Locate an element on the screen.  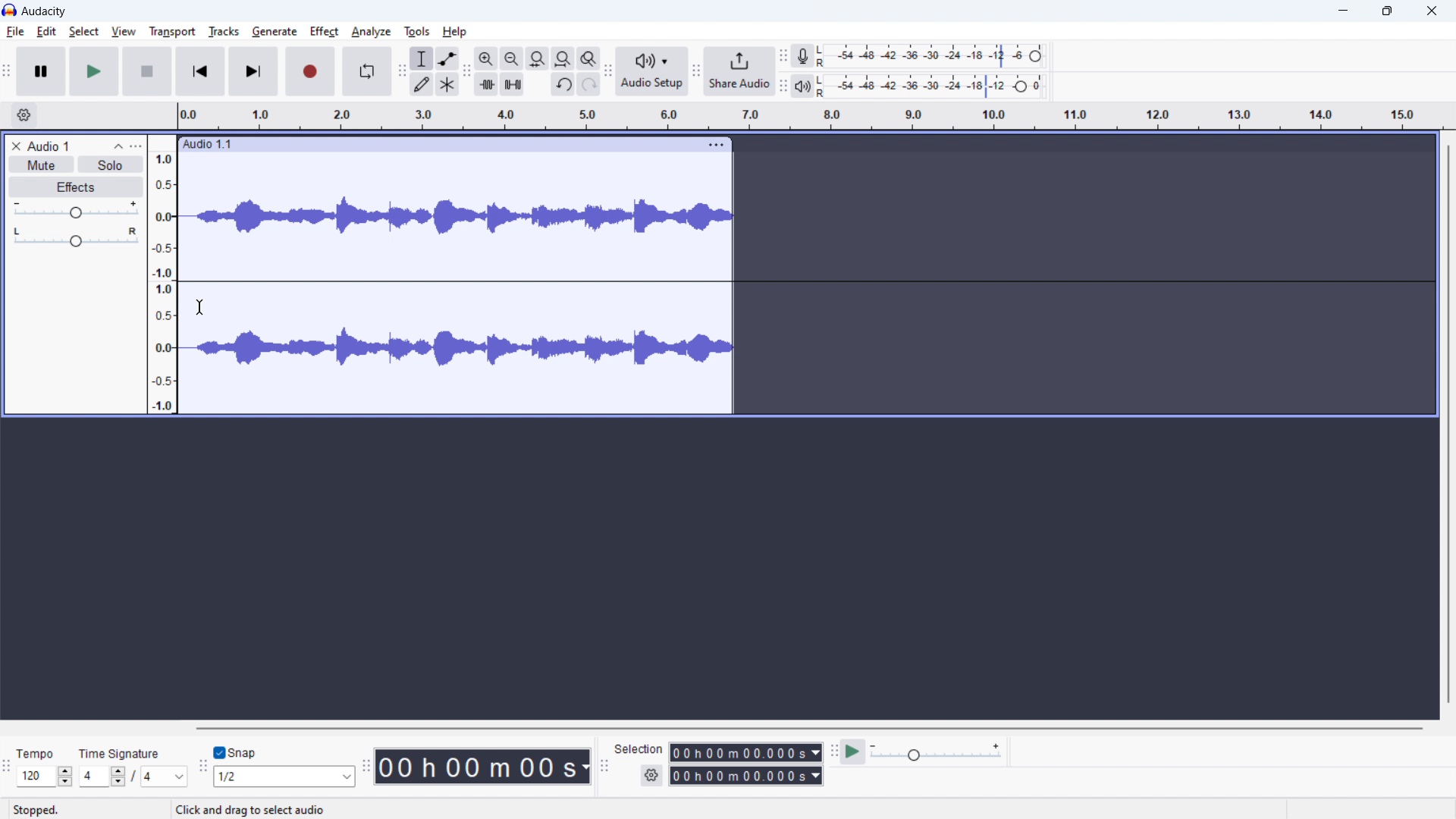
mute is located at coordinates (40, 164).